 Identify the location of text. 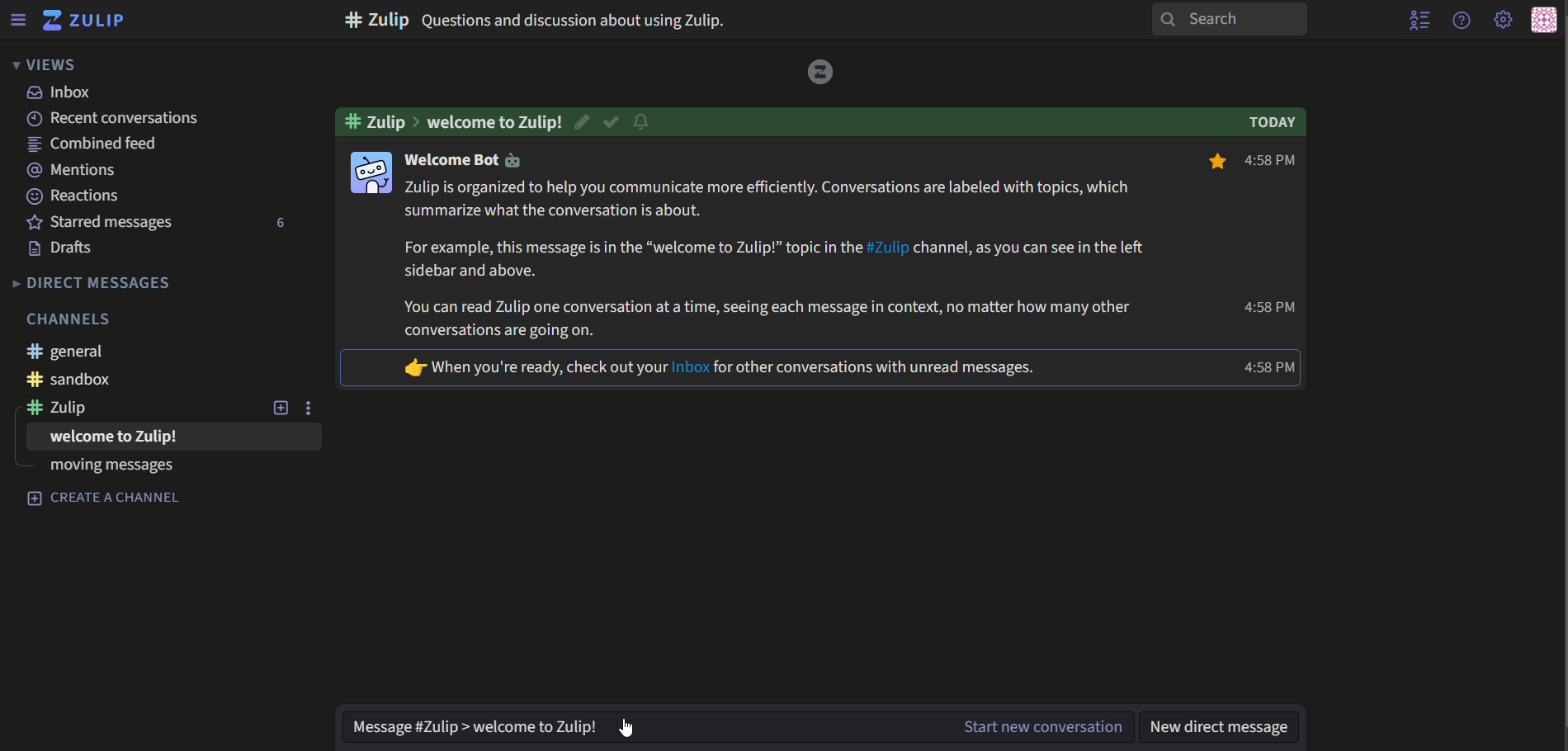
(720, 369).